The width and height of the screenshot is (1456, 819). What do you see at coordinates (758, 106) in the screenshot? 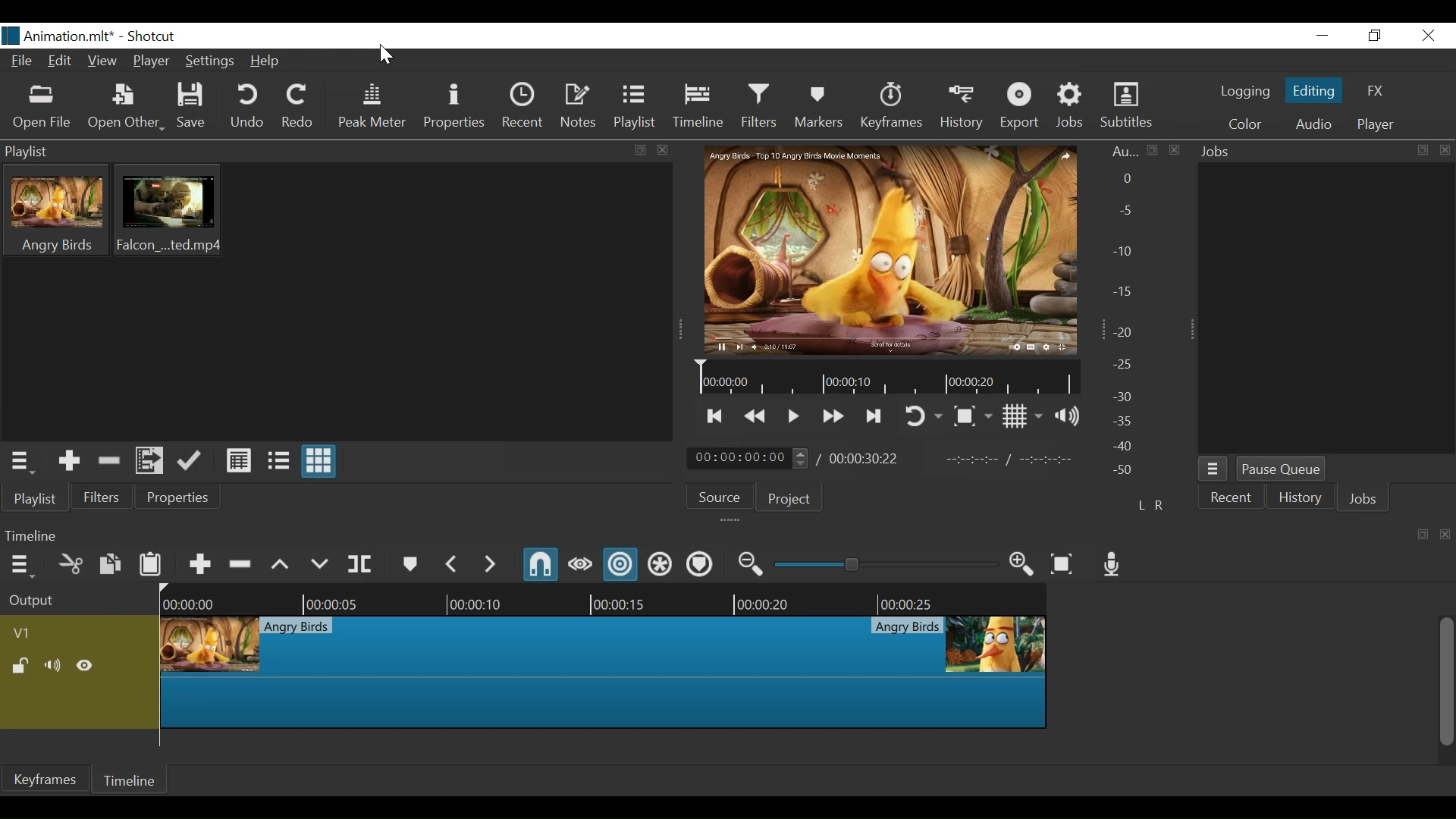
I see `Filters` at bounding box center [758, 106].